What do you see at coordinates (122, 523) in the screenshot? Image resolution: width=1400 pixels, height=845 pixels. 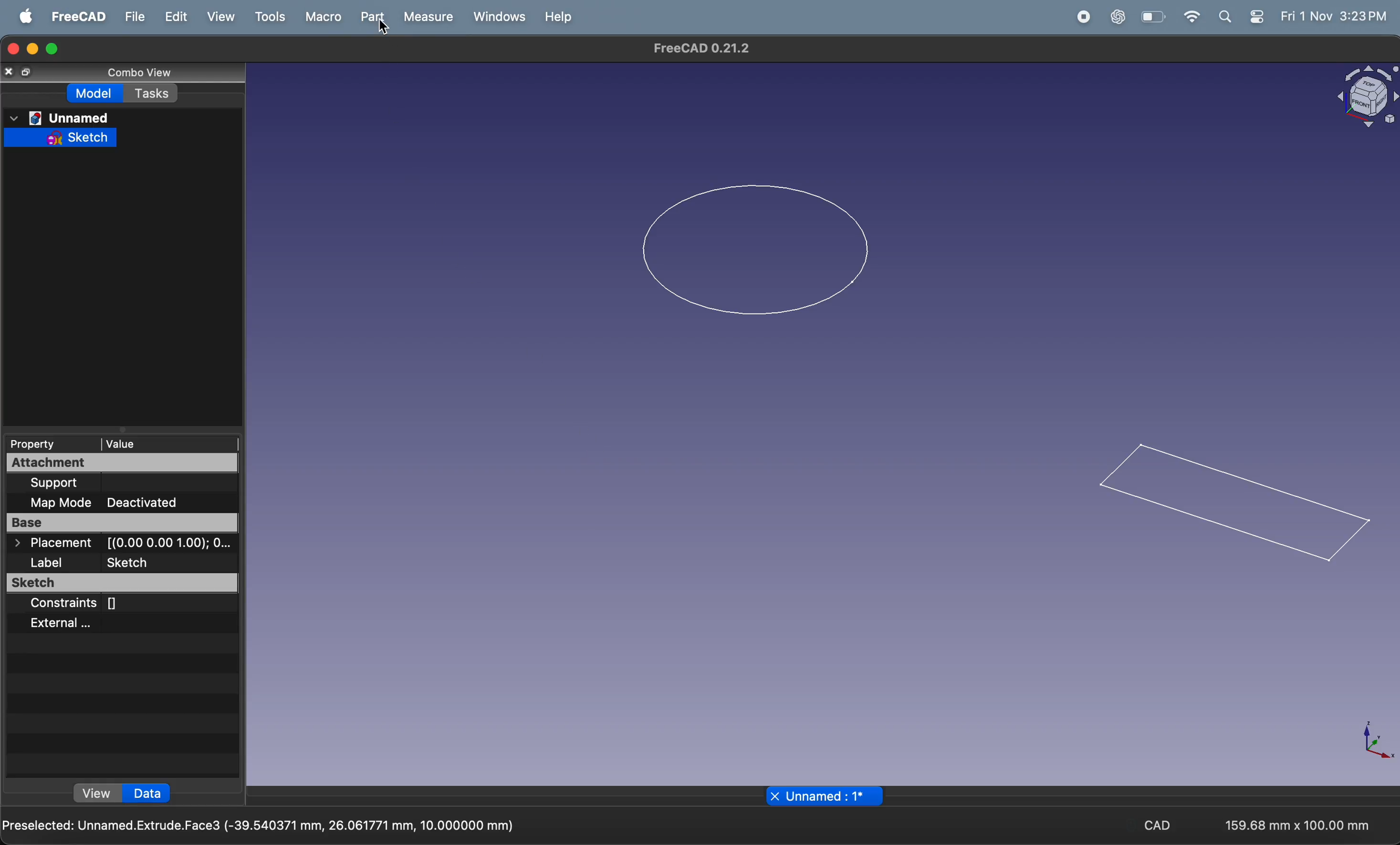 I see `Base` at bounding box center [122, 523].